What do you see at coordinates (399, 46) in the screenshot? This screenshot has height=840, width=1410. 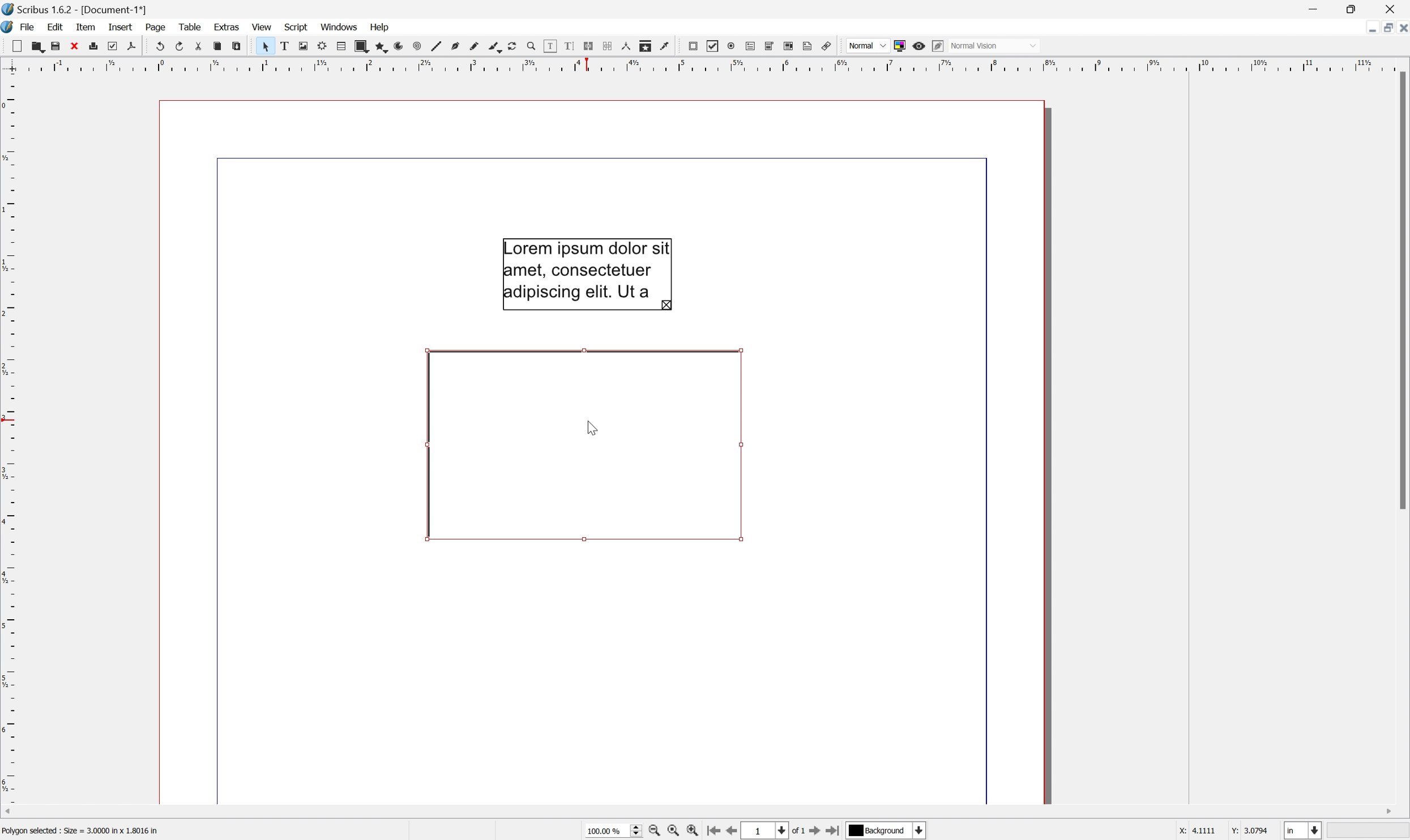 I see `Arc` at bounding box center [399, 46].